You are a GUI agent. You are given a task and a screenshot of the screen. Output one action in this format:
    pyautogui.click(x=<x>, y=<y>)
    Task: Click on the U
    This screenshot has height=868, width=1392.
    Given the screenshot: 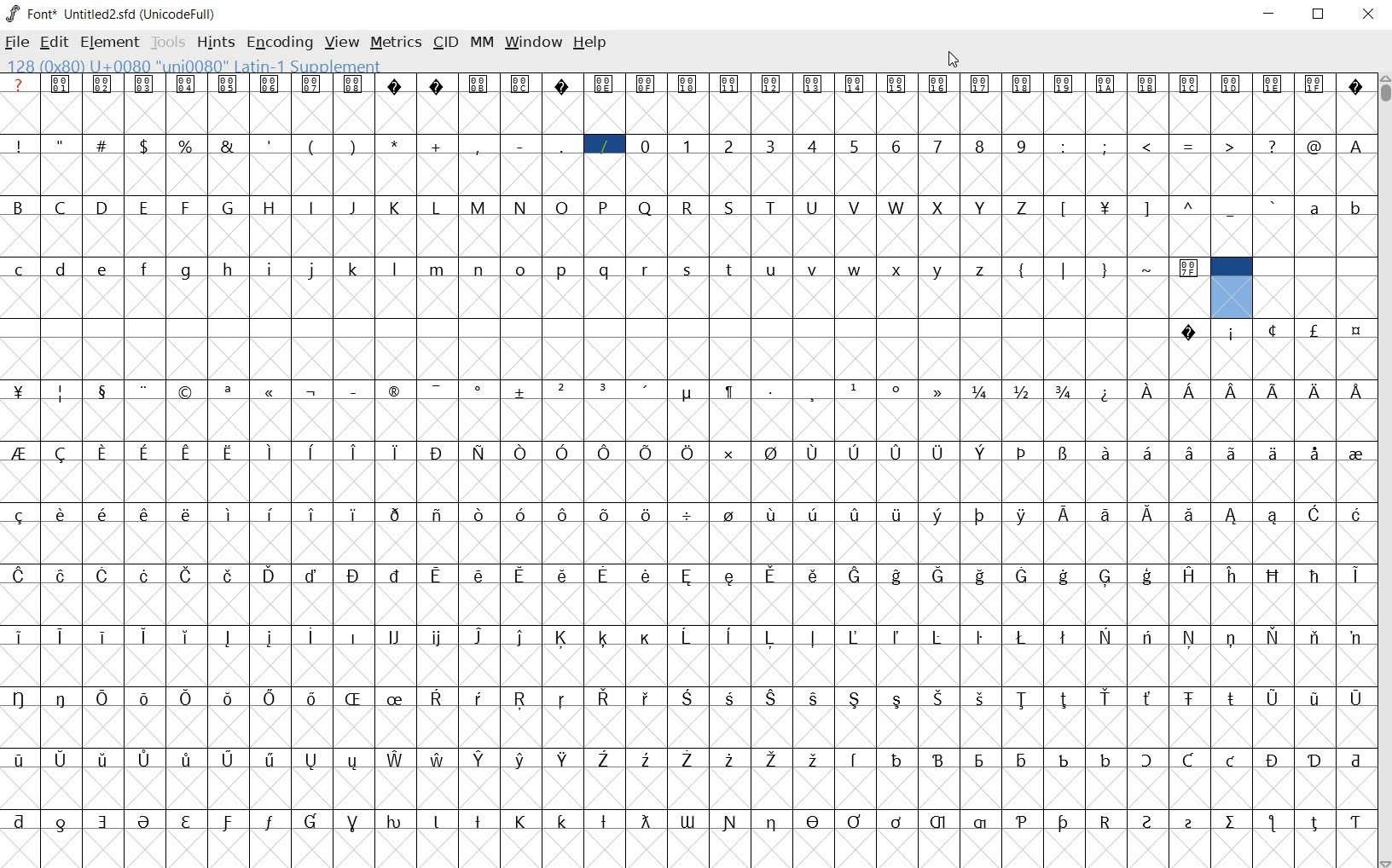 What is the action you would take?
    pyautogui.click(x=815, y=207)
    